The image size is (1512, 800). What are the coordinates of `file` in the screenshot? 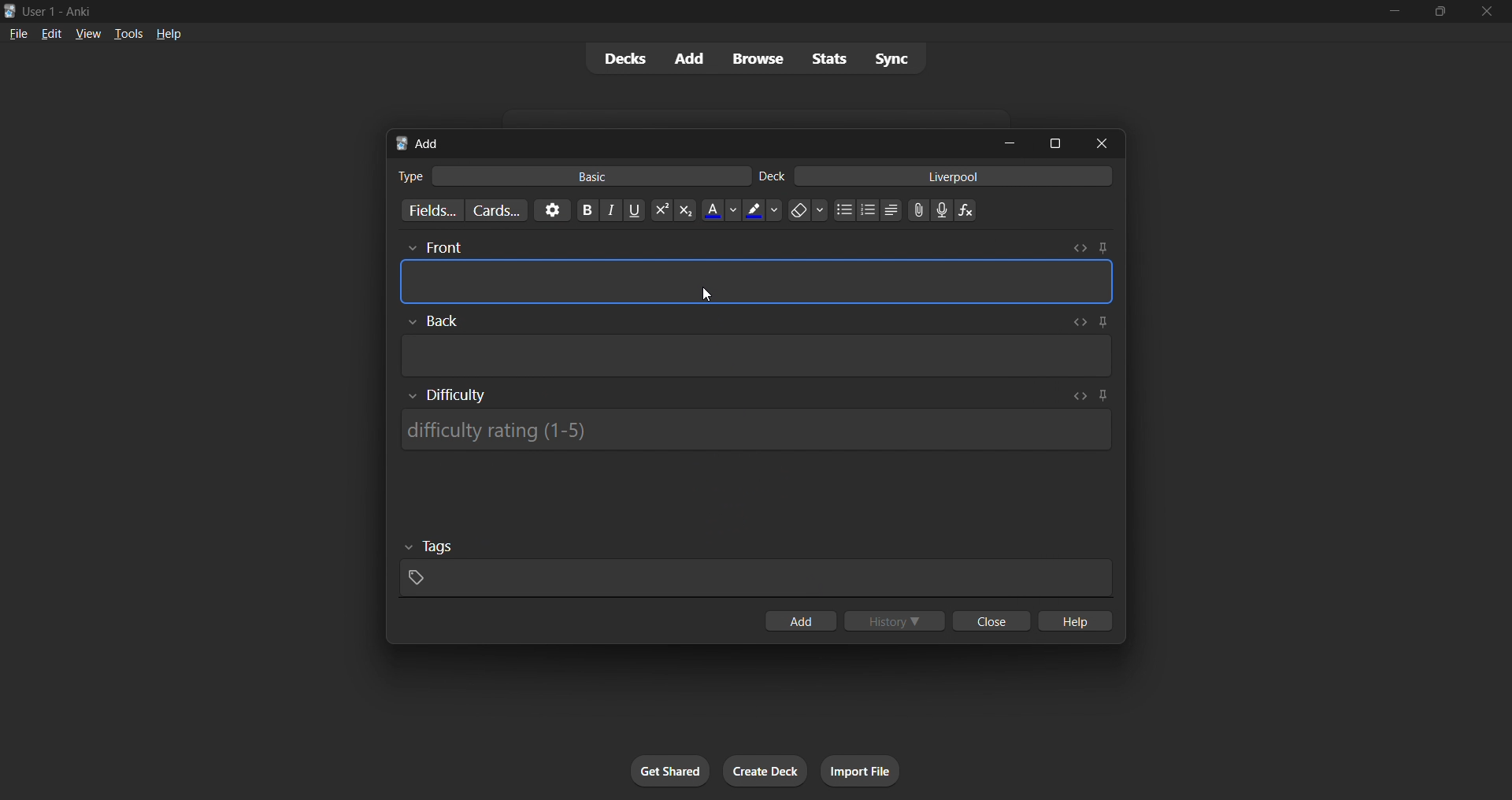 It's located at (18, 32).